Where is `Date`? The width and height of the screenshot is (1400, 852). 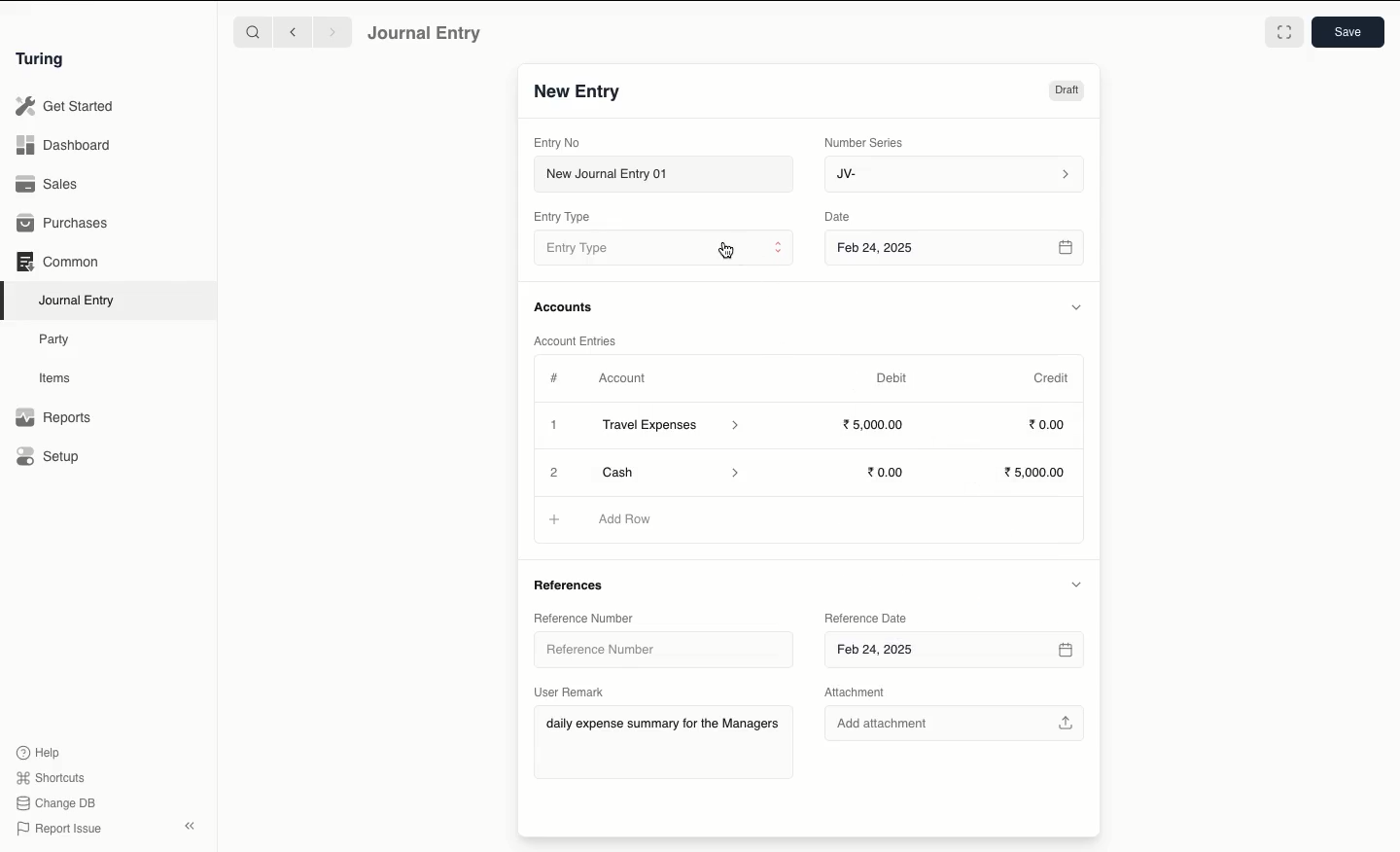 Date is located at coordinates (840, 216).